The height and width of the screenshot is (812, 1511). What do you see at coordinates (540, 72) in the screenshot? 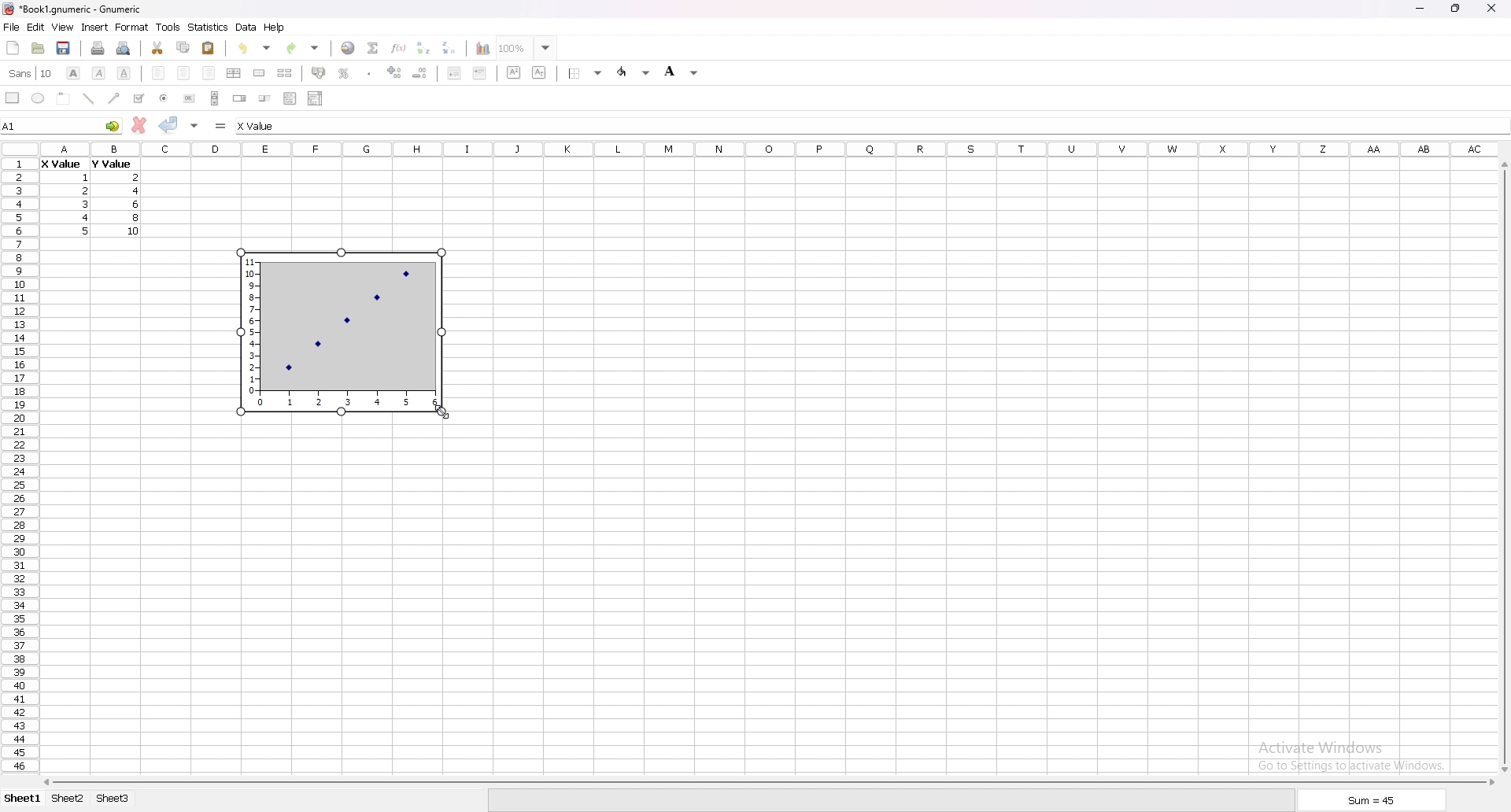
I see `subscript` at bounding box center [540, 72].